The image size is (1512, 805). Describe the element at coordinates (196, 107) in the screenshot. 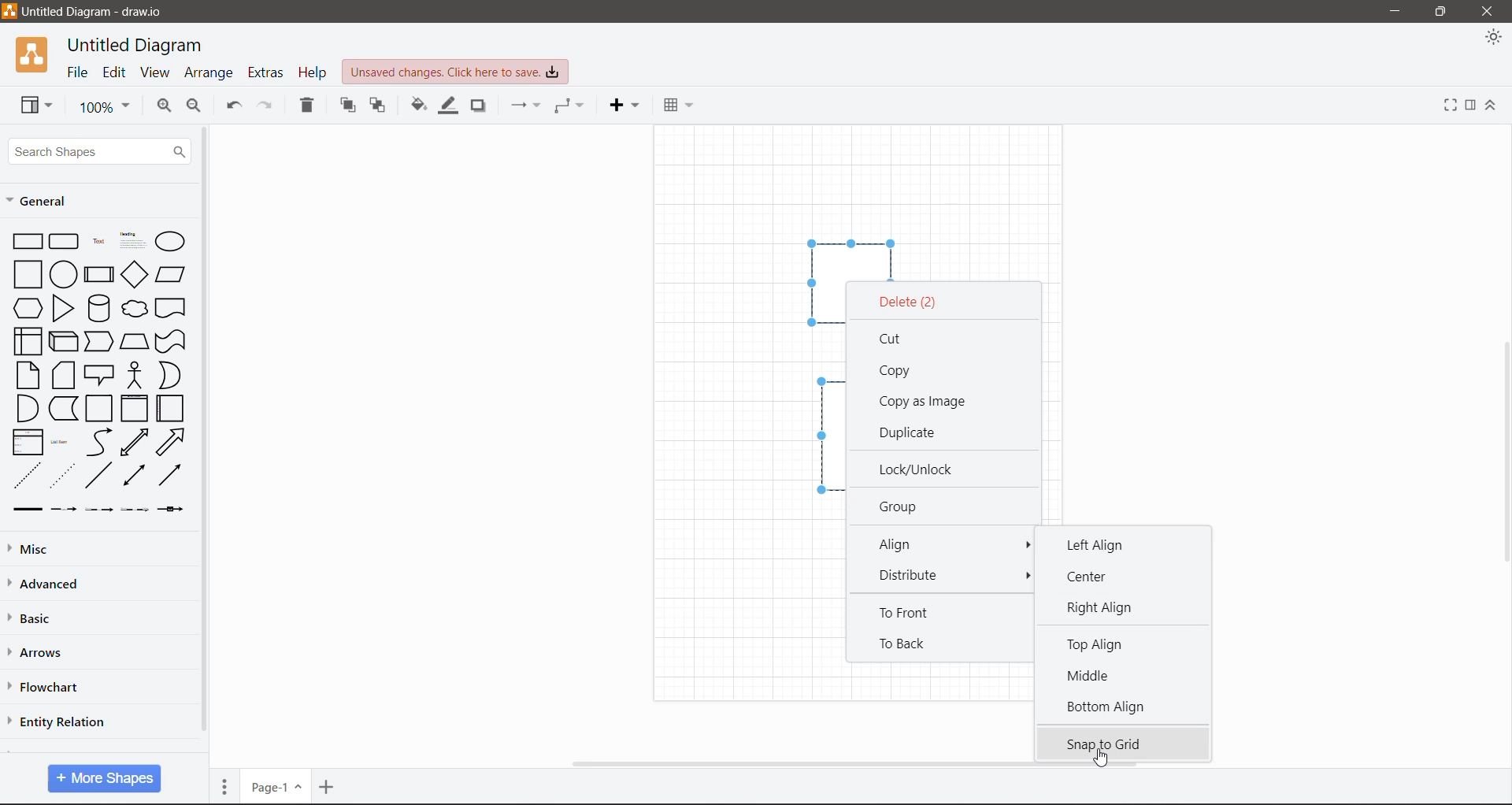

I see `Zoom Out` at that location.